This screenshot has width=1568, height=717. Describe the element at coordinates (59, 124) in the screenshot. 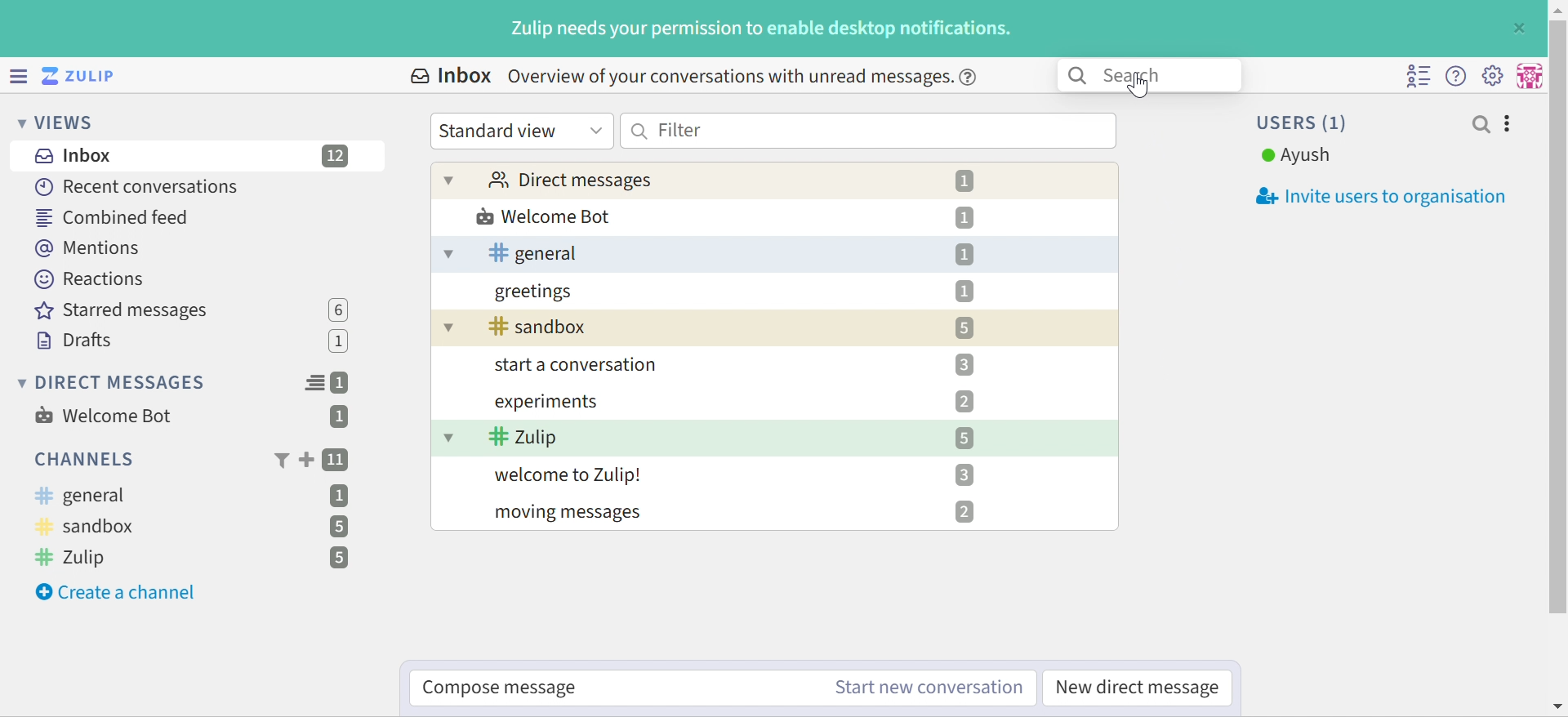

I see `VIEWS` at that location.